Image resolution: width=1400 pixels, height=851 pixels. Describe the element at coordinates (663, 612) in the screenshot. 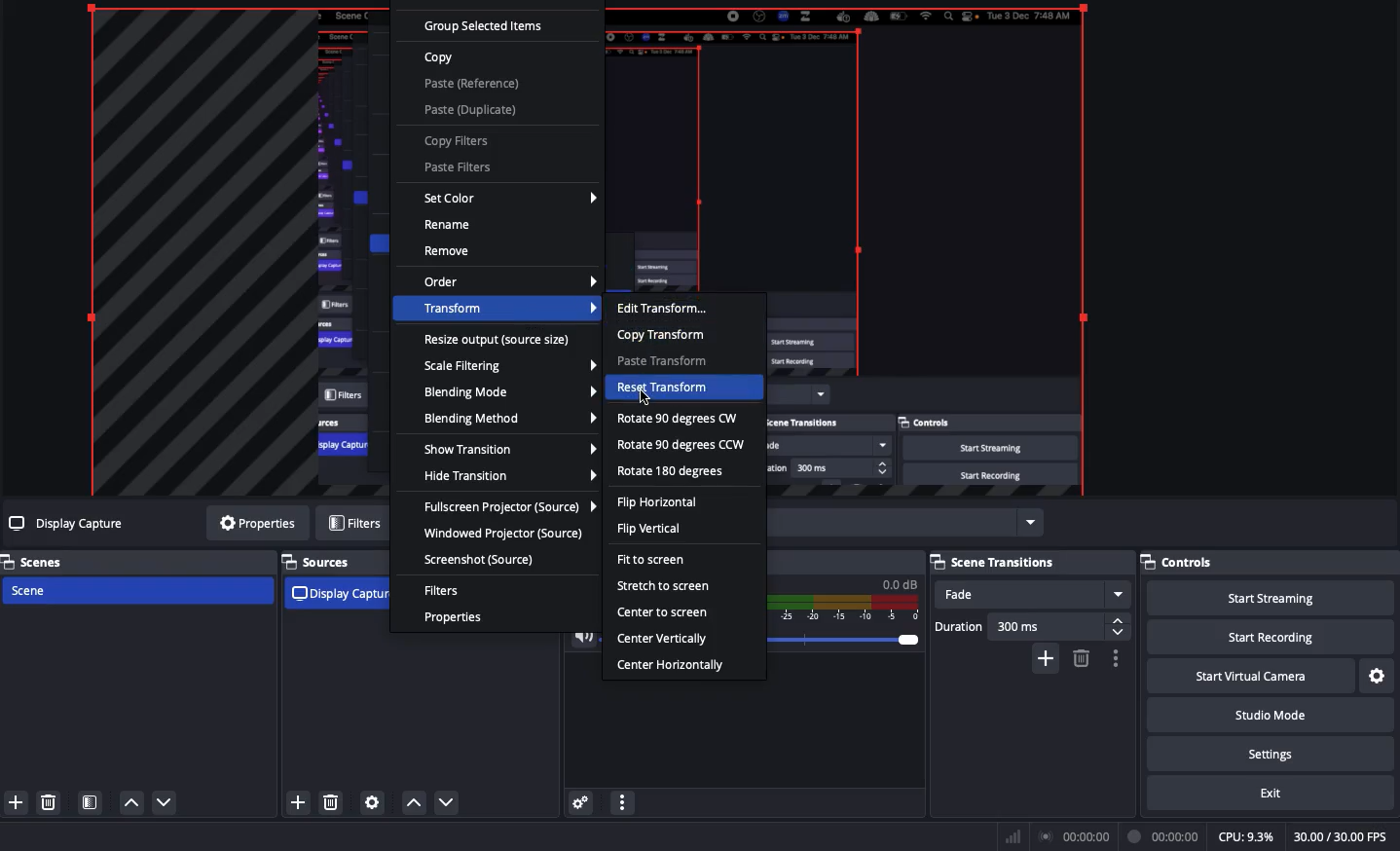

I see `Center to screen ` at that location.